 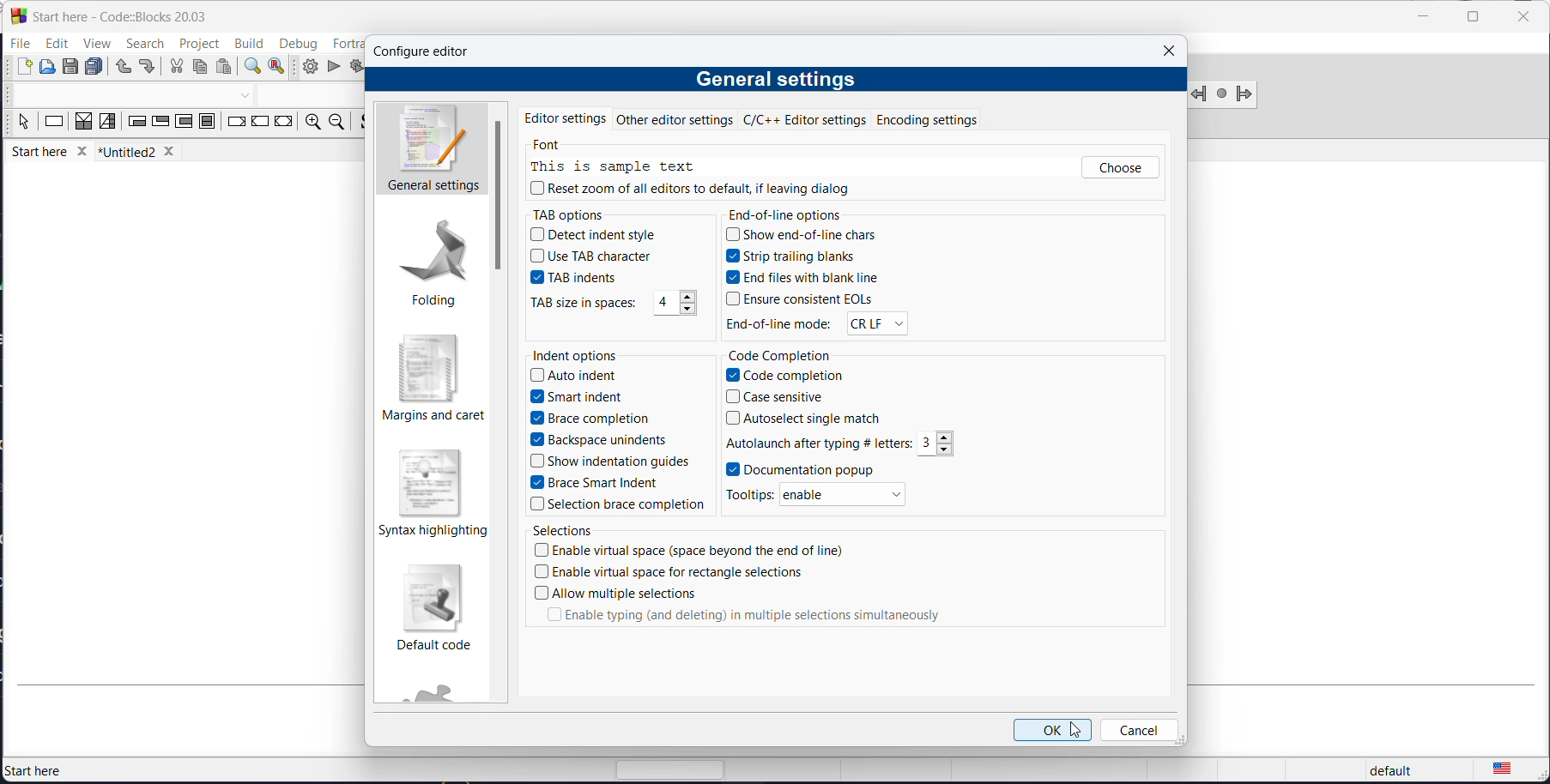 What do you see at coordinates (569, 533) in the screenshot?
I see `selections` at bounding box center [569, 533].